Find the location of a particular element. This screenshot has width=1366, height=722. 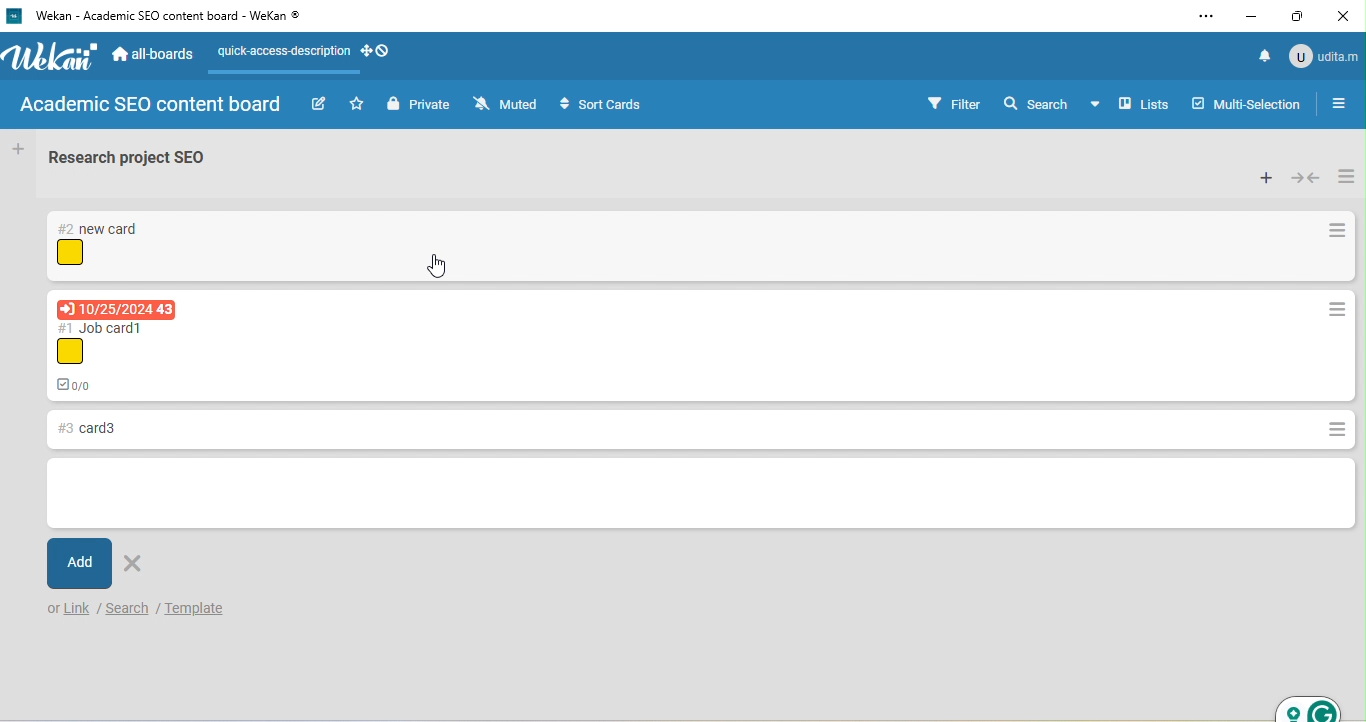

toggle sidebar is located at coordinates (1345, 103).